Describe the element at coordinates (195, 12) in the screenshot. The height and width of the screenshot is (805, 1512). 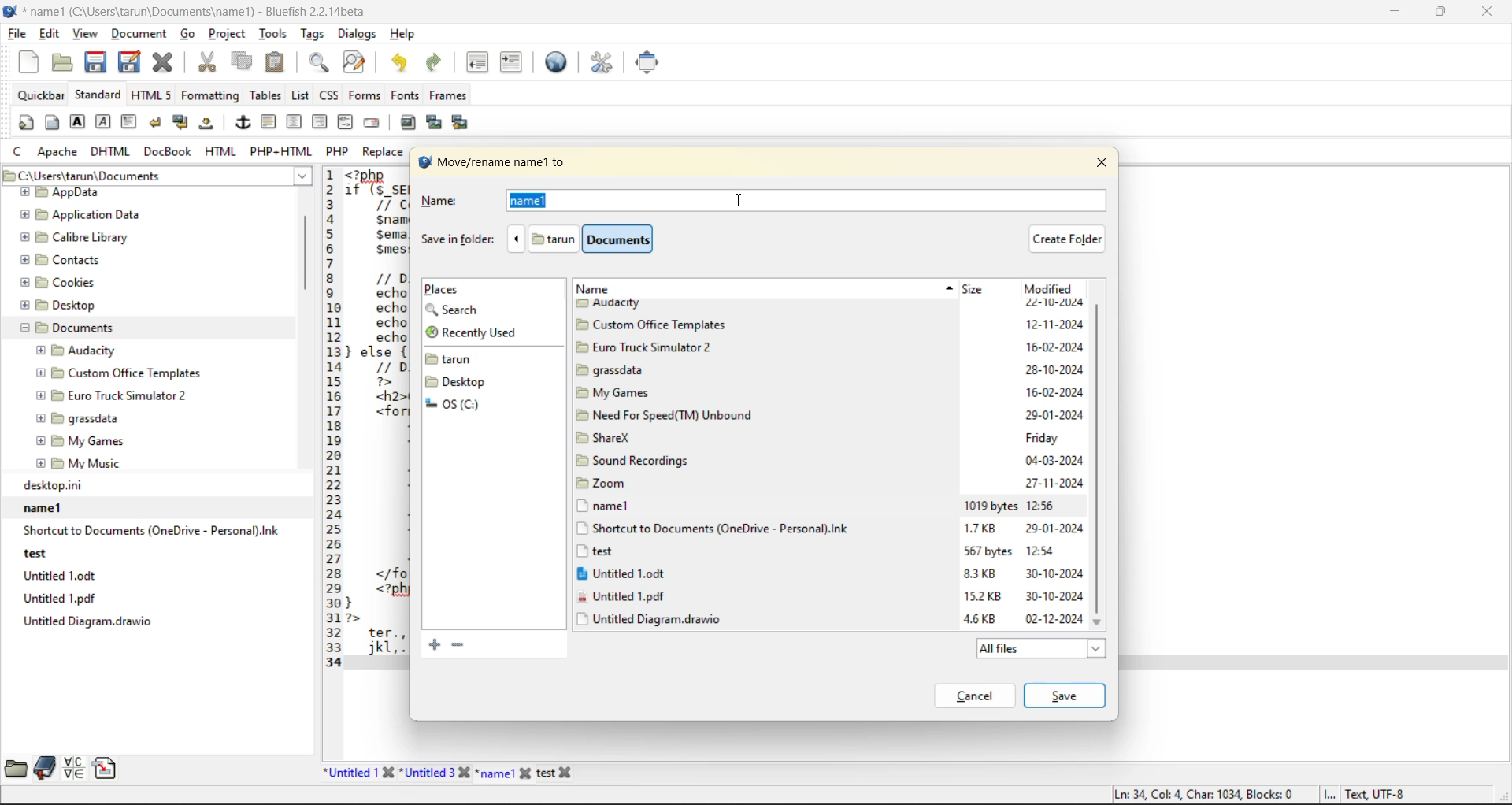
I see `file name and app name` at that location.